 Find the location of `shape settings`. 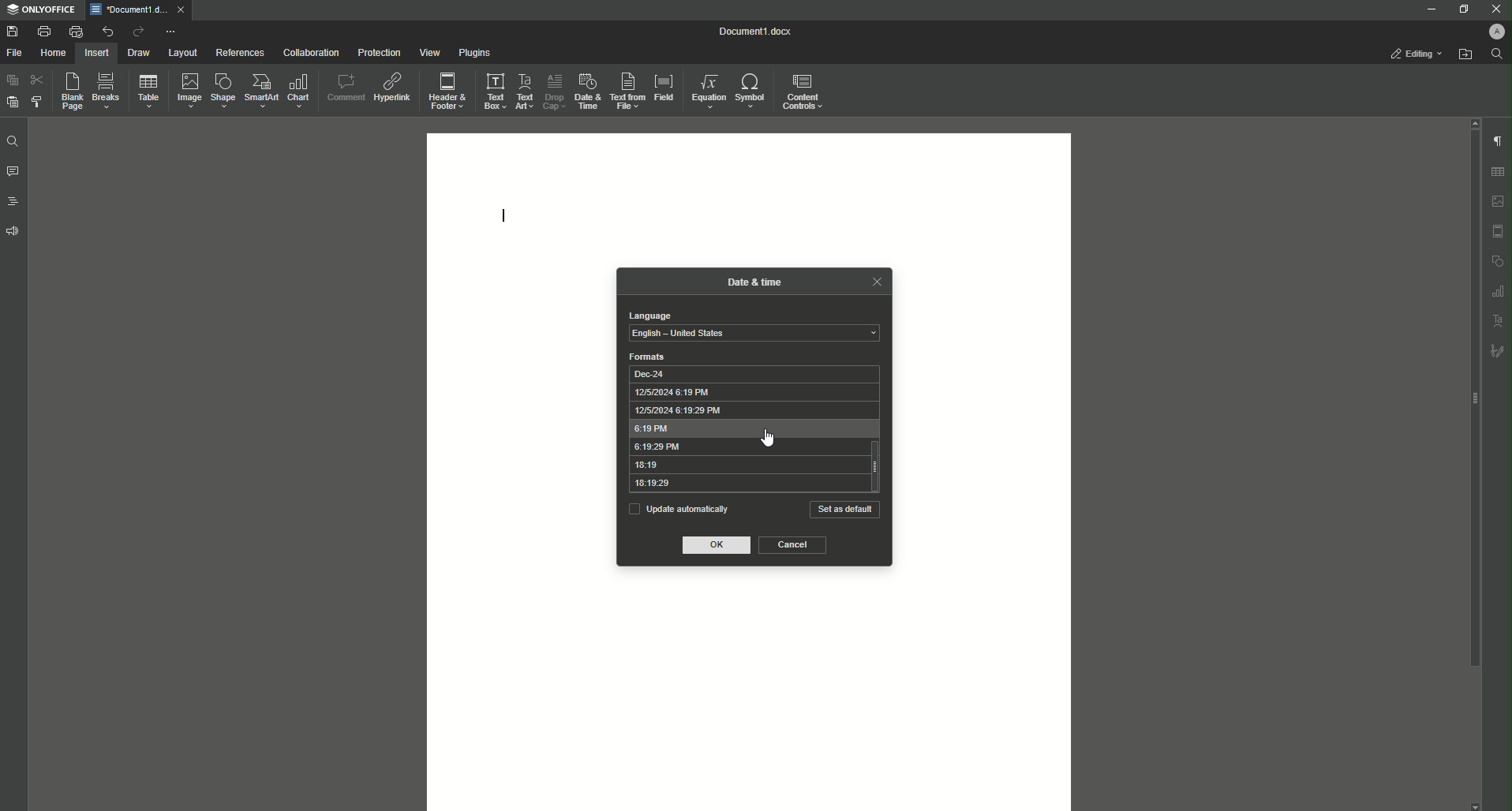

shape settings is located at coordinates (1497, 260).